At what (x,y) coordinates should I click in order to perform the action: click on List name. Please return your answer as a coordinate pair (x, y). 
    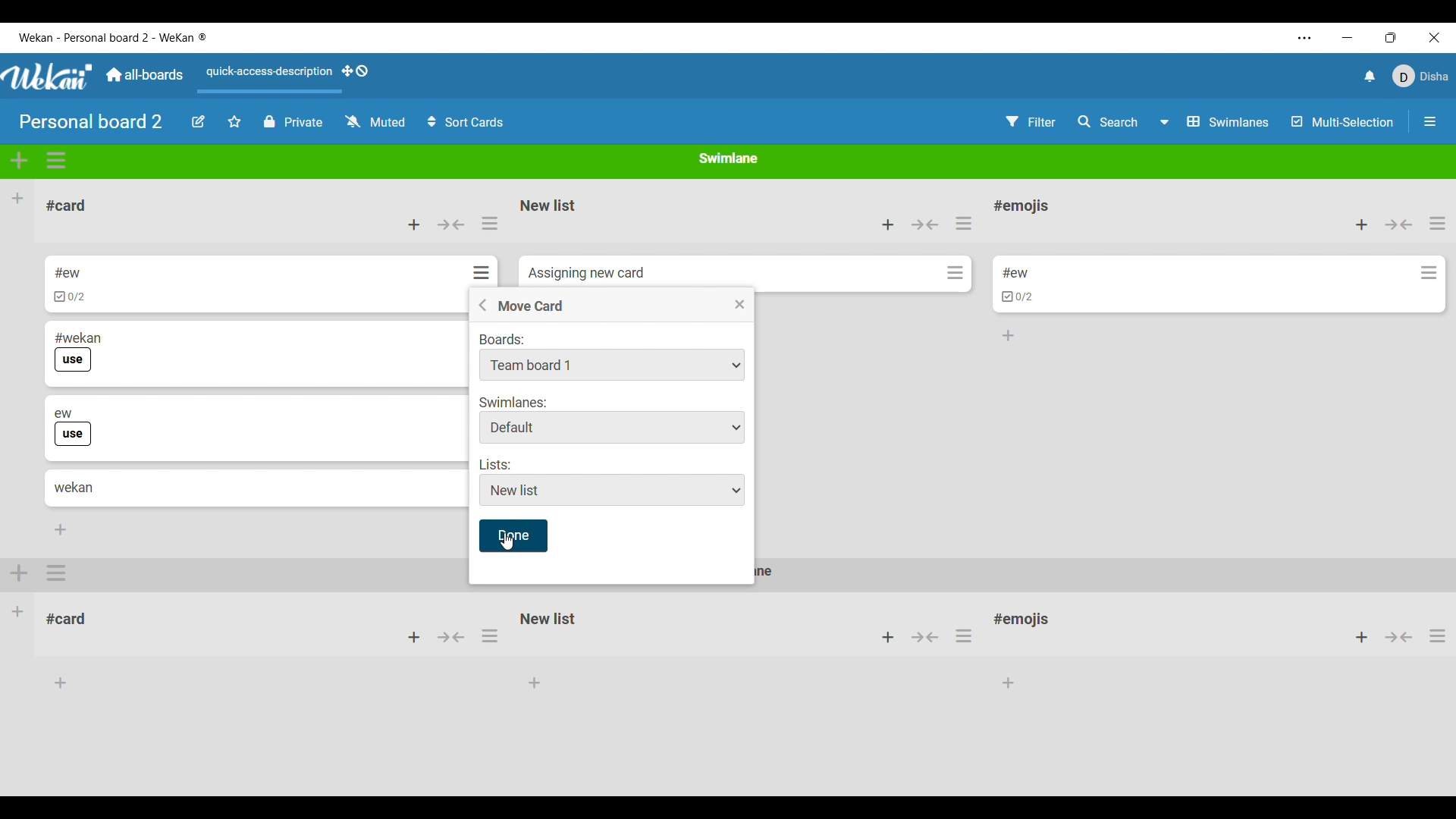
    Looking at the image, I should click on (1021, 207).